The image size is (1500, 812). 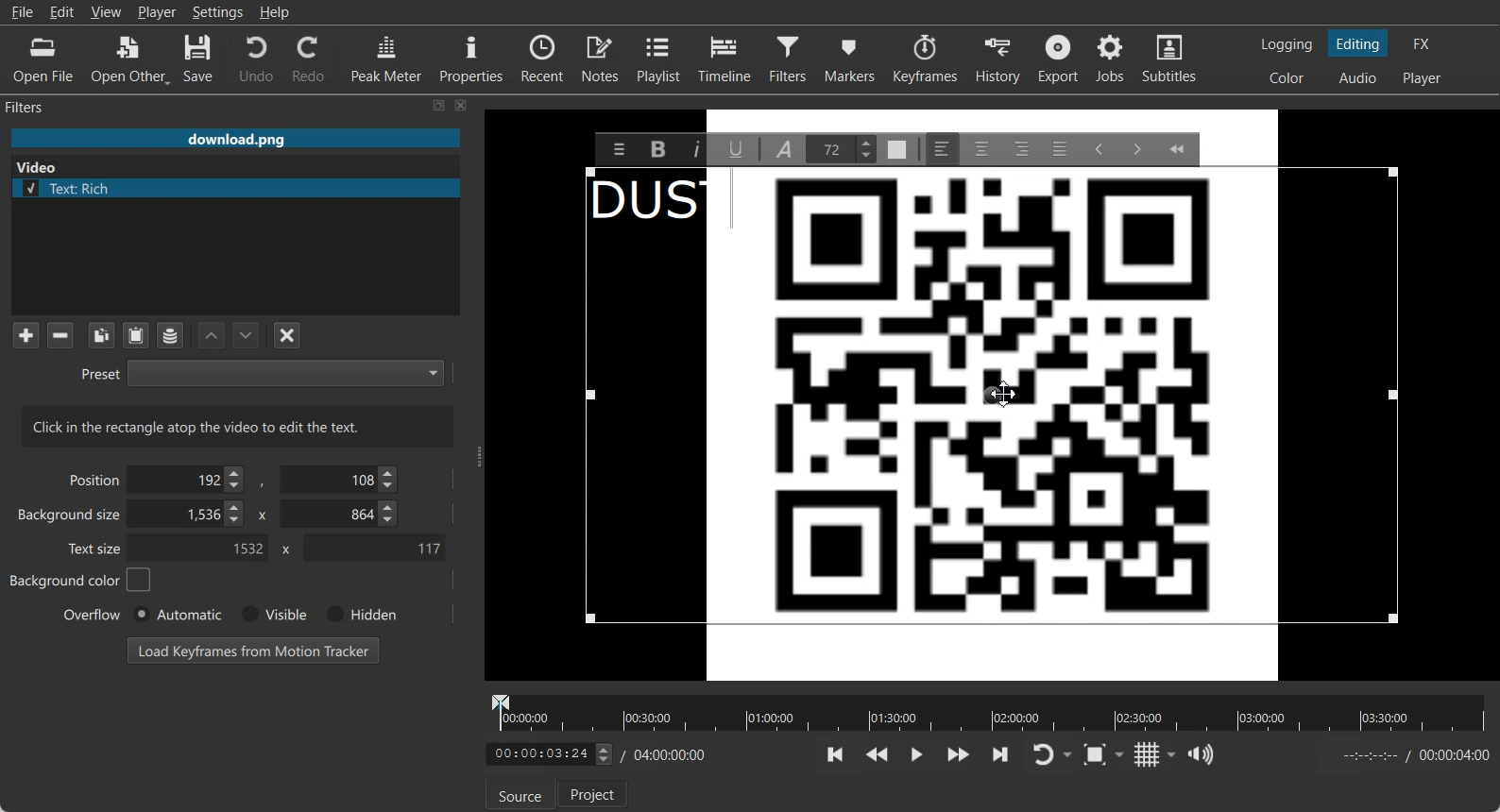 I want to click on Properties, so click(x=471, y=57).